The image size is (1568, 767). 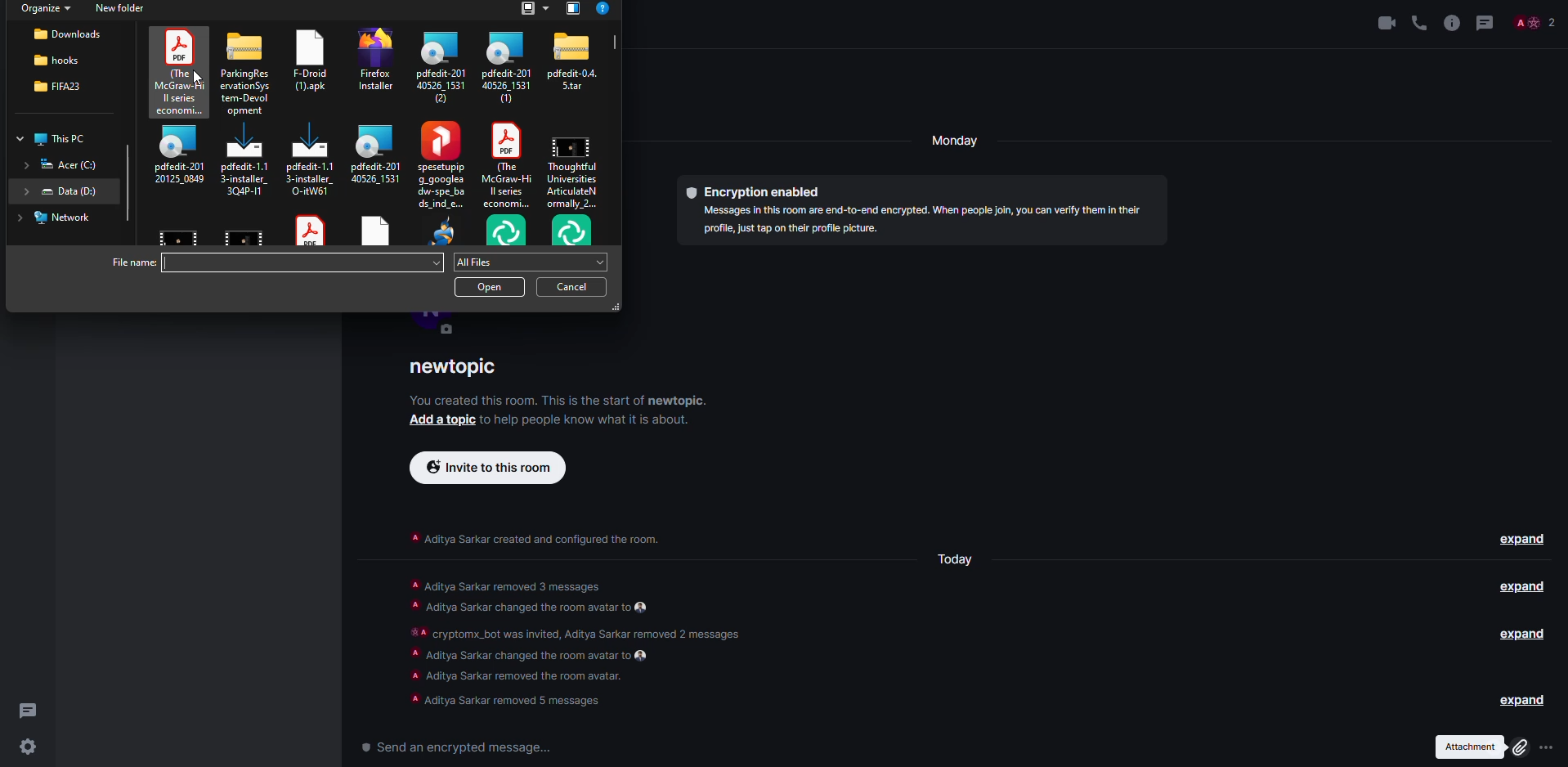 I want to click on scroll, so click(x=614, y=43).